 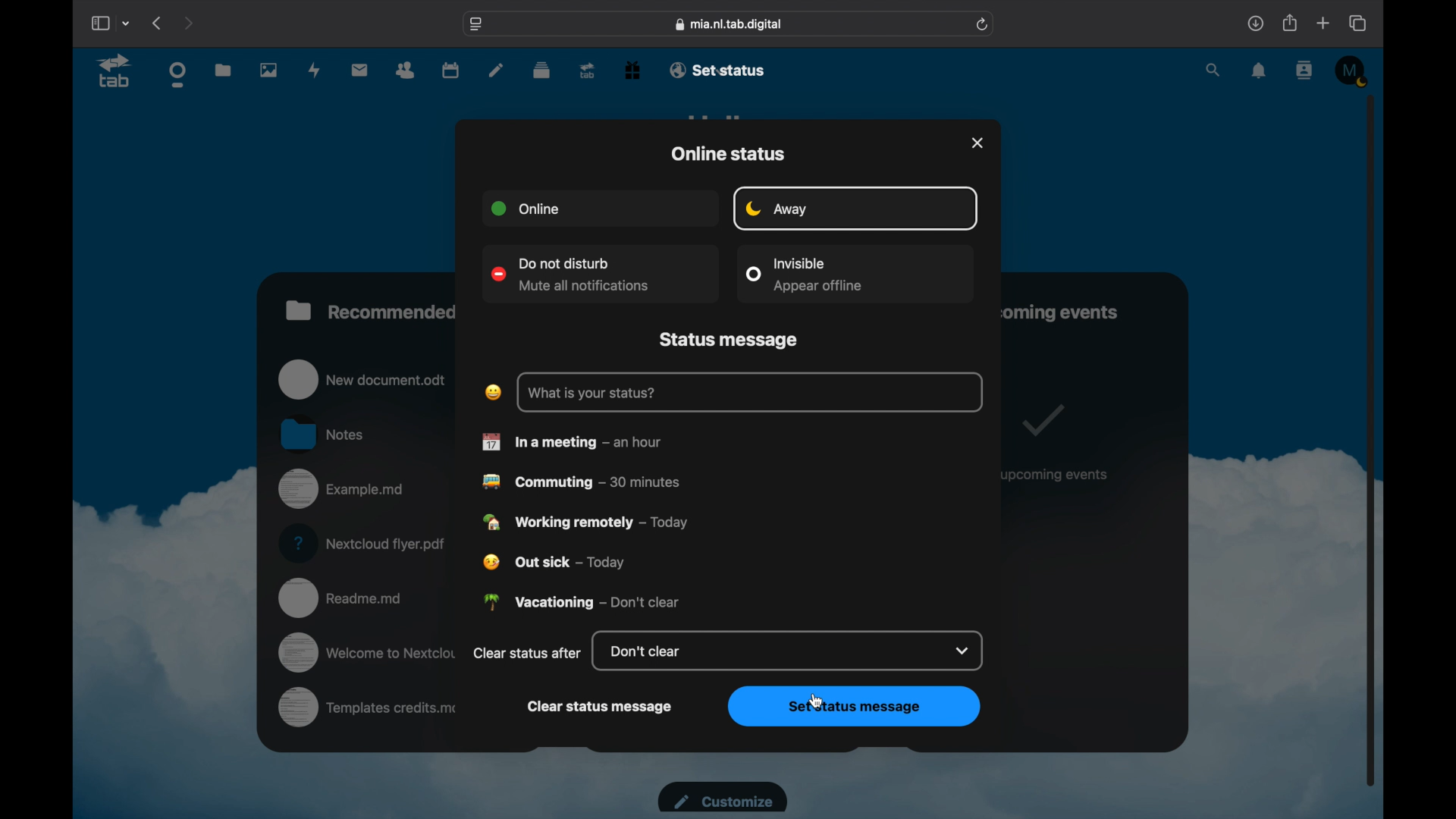 What do you see at coordinates (601, 708) in the screenshot?
I see `clear status message` at bounding box center [601, 708].